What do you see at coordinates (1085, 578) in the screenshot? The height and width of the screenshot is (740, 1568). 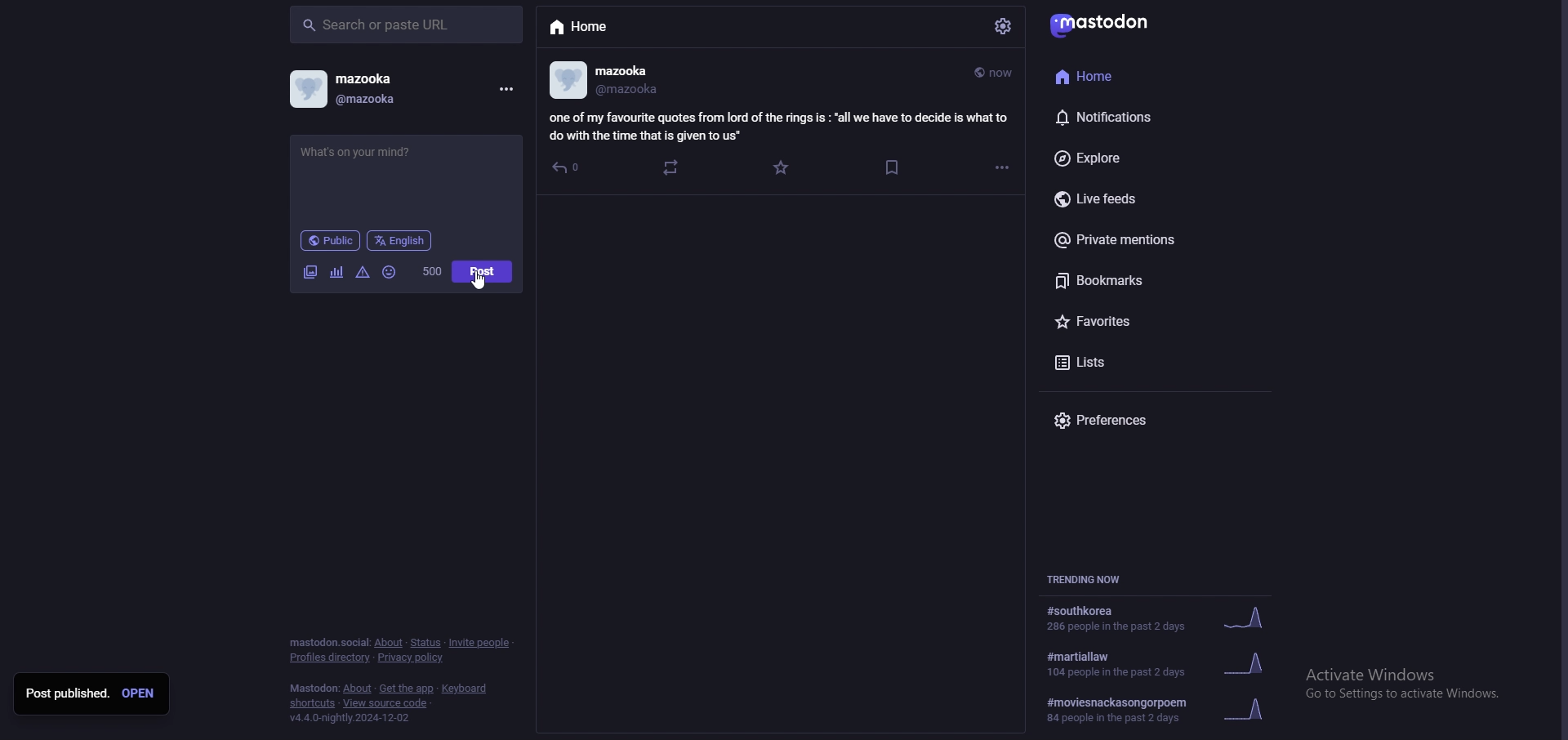 I see `trending now` at bounding box center [1085, 578].